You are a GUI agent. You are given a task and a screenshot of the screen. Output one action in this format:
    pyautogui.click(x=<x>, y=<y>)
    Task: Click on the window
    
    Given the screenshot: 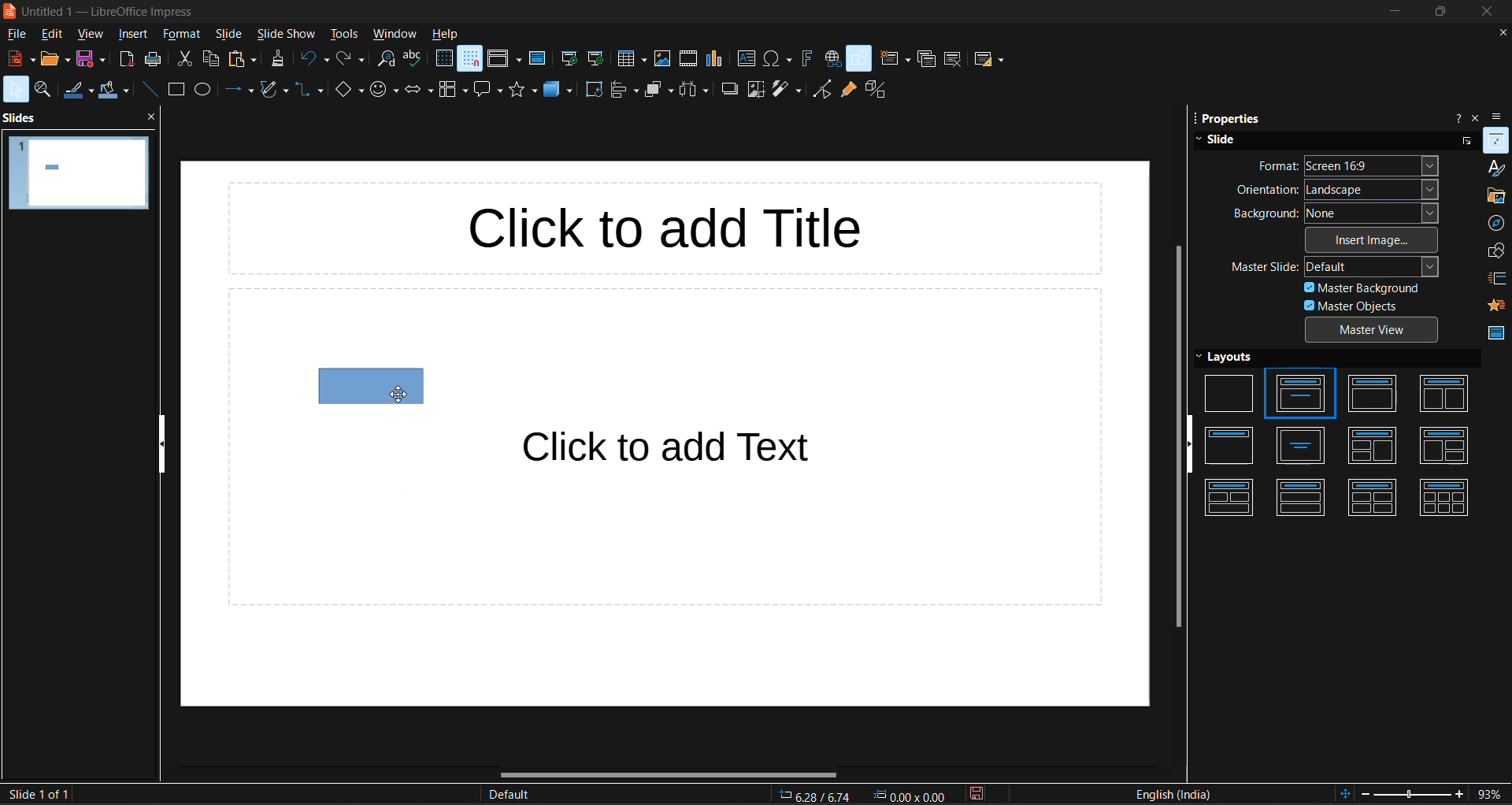 What is the action you would take?
    pyautogui.click(x=395, y=36)
    